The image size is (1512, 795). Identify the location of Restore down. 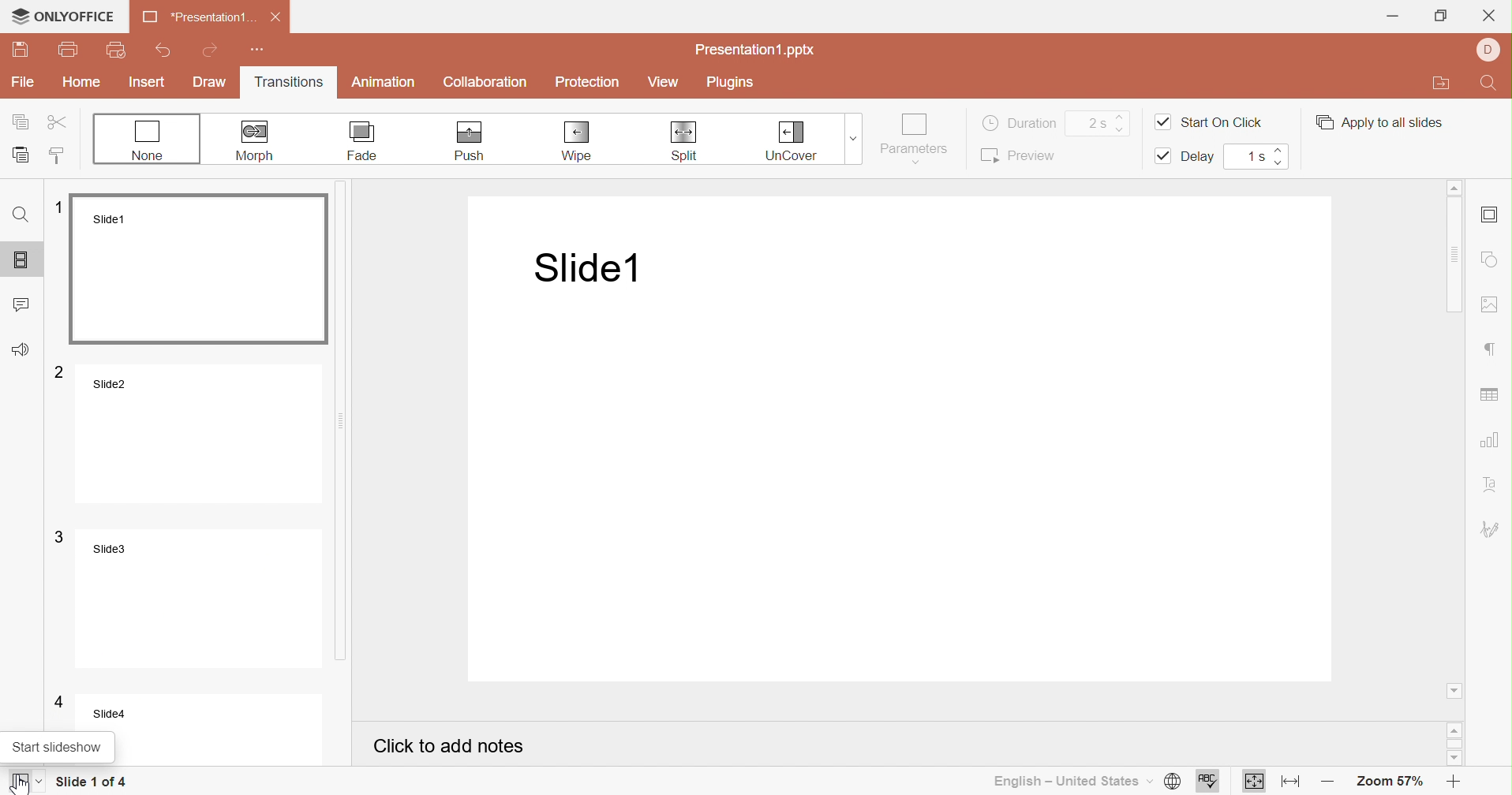
(1440, 15).